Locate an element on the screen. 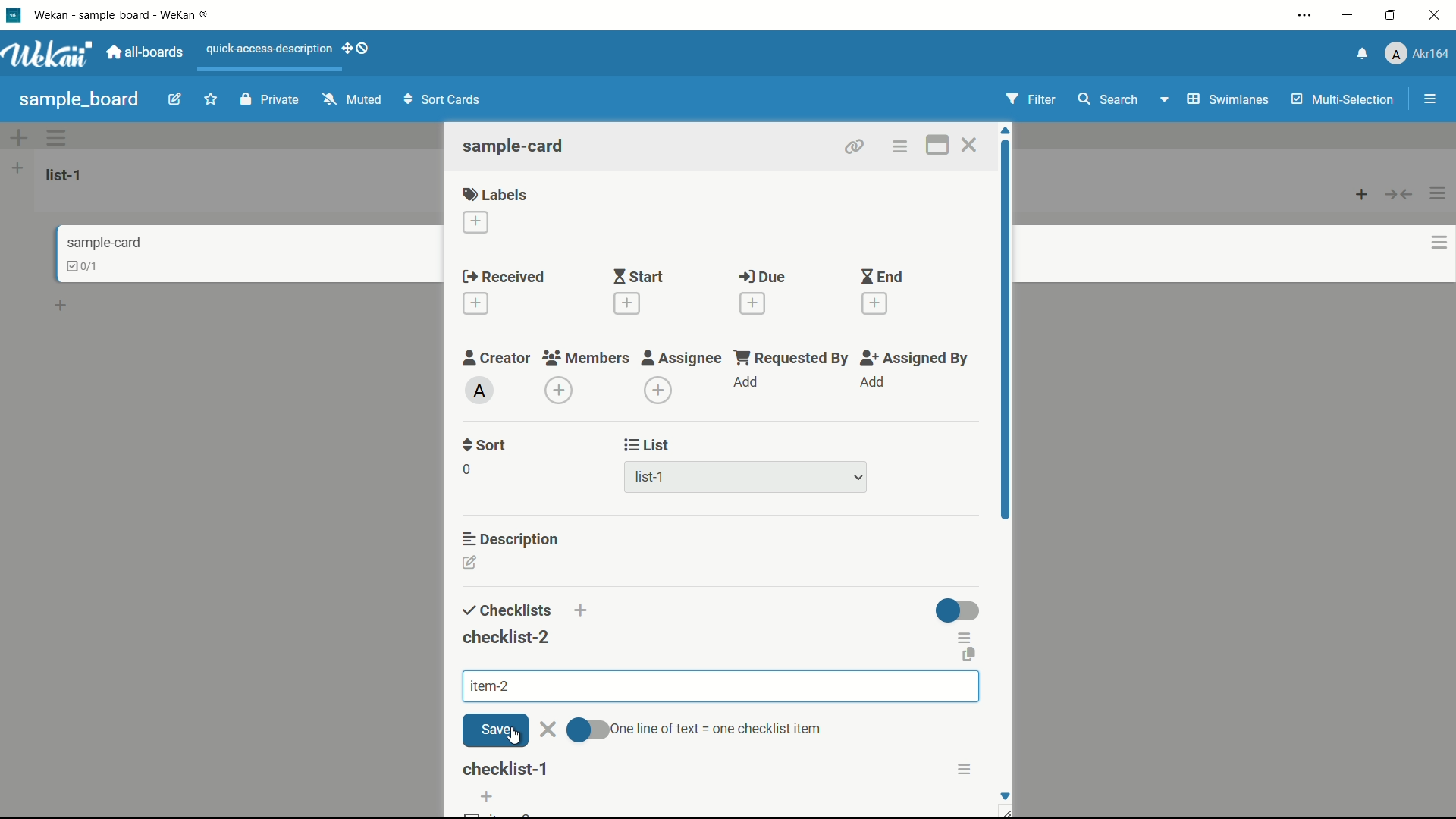 The width and height of the screenshot is (1456, 819). add description is located at coordinates (471, 565).